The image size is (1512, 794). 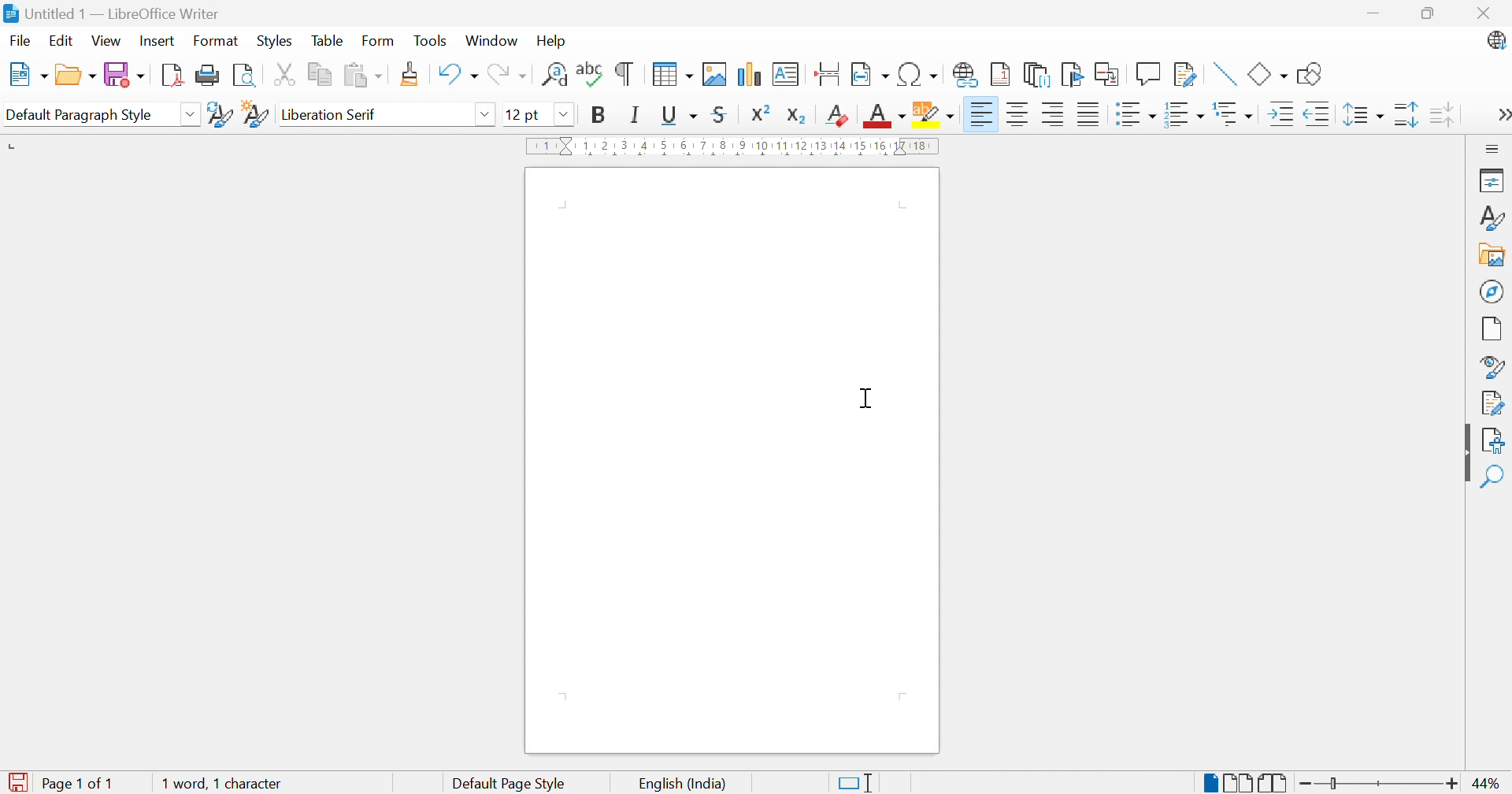 I want to click on Page 1 of 1, so click(x=57, y=785).